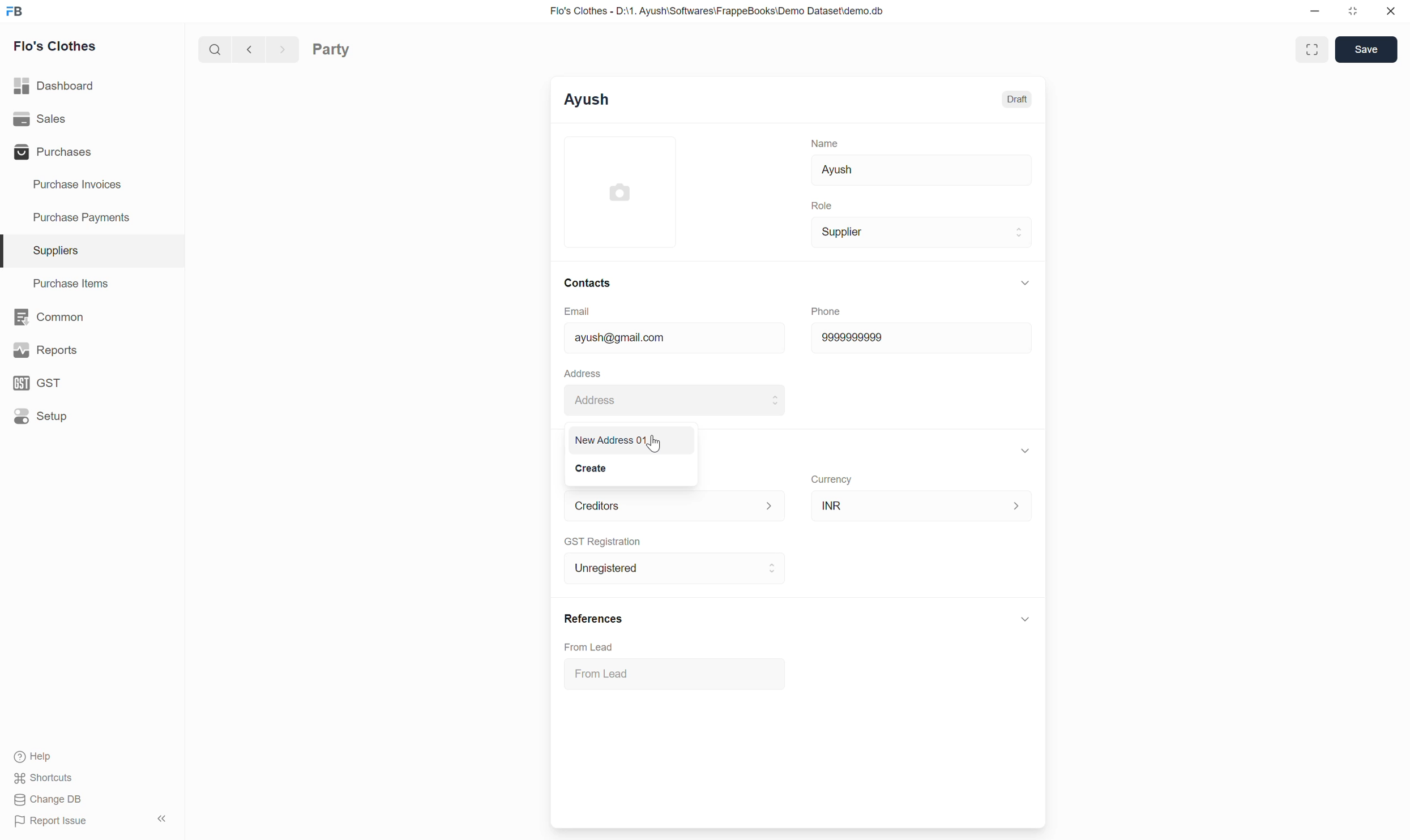  I want to click on GST, so click(91, 383).